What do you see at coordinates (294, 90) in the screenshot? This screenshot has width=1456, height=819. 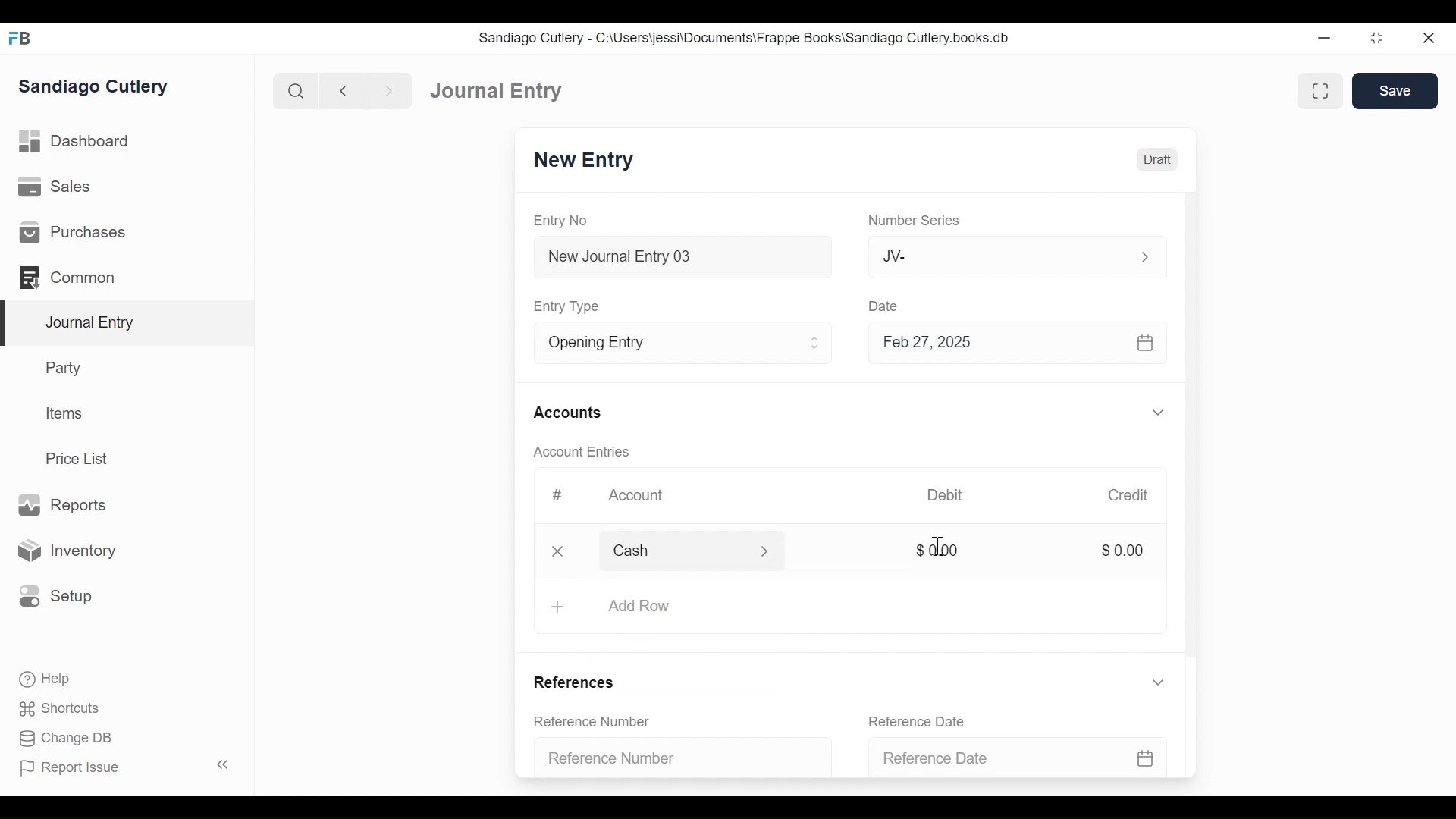 I see `Search` at bounding box center [294, 90].